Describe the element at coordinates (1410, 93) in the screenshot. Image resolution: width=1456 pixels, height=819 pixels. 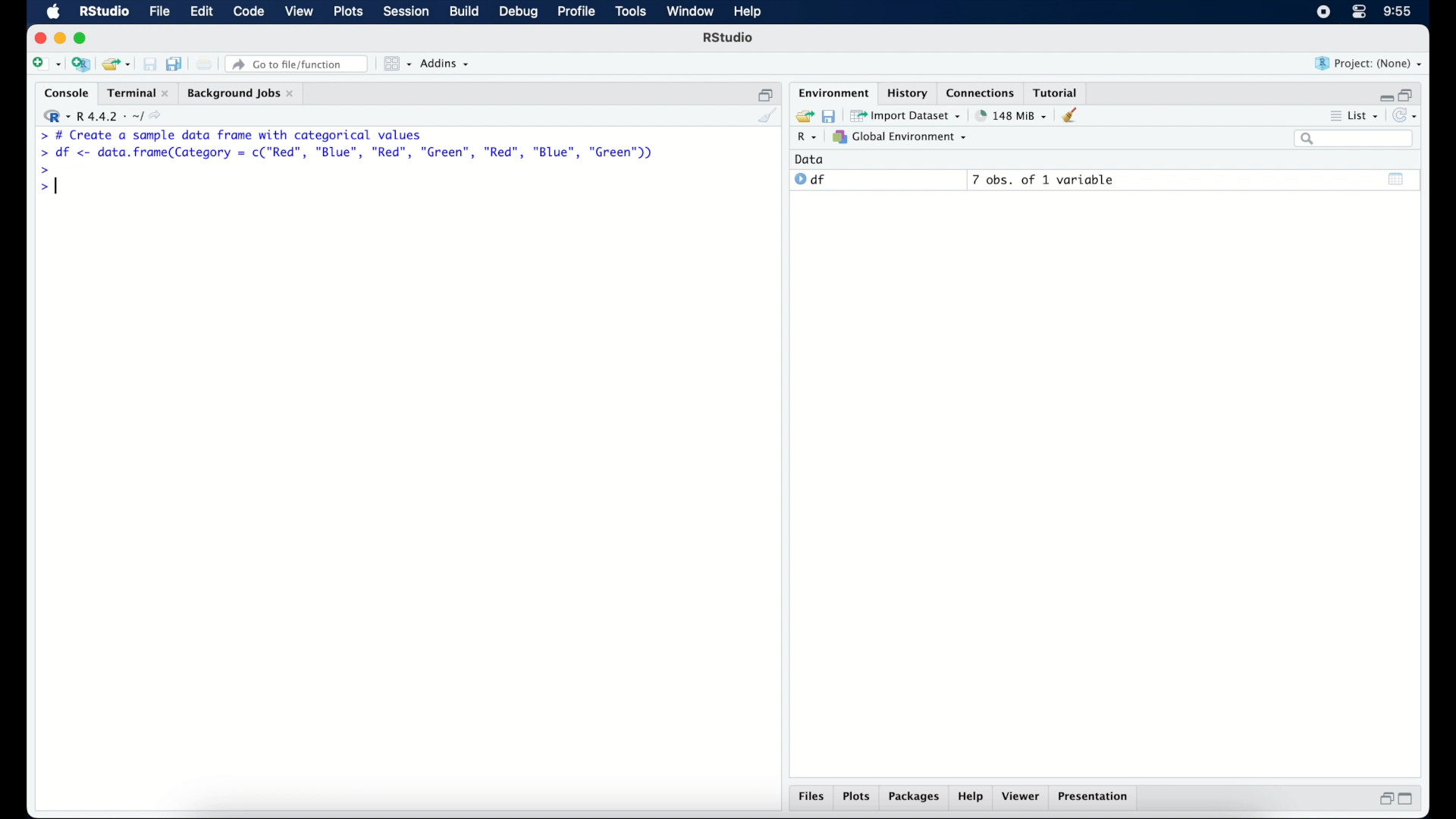
I see `restore down` at that location.